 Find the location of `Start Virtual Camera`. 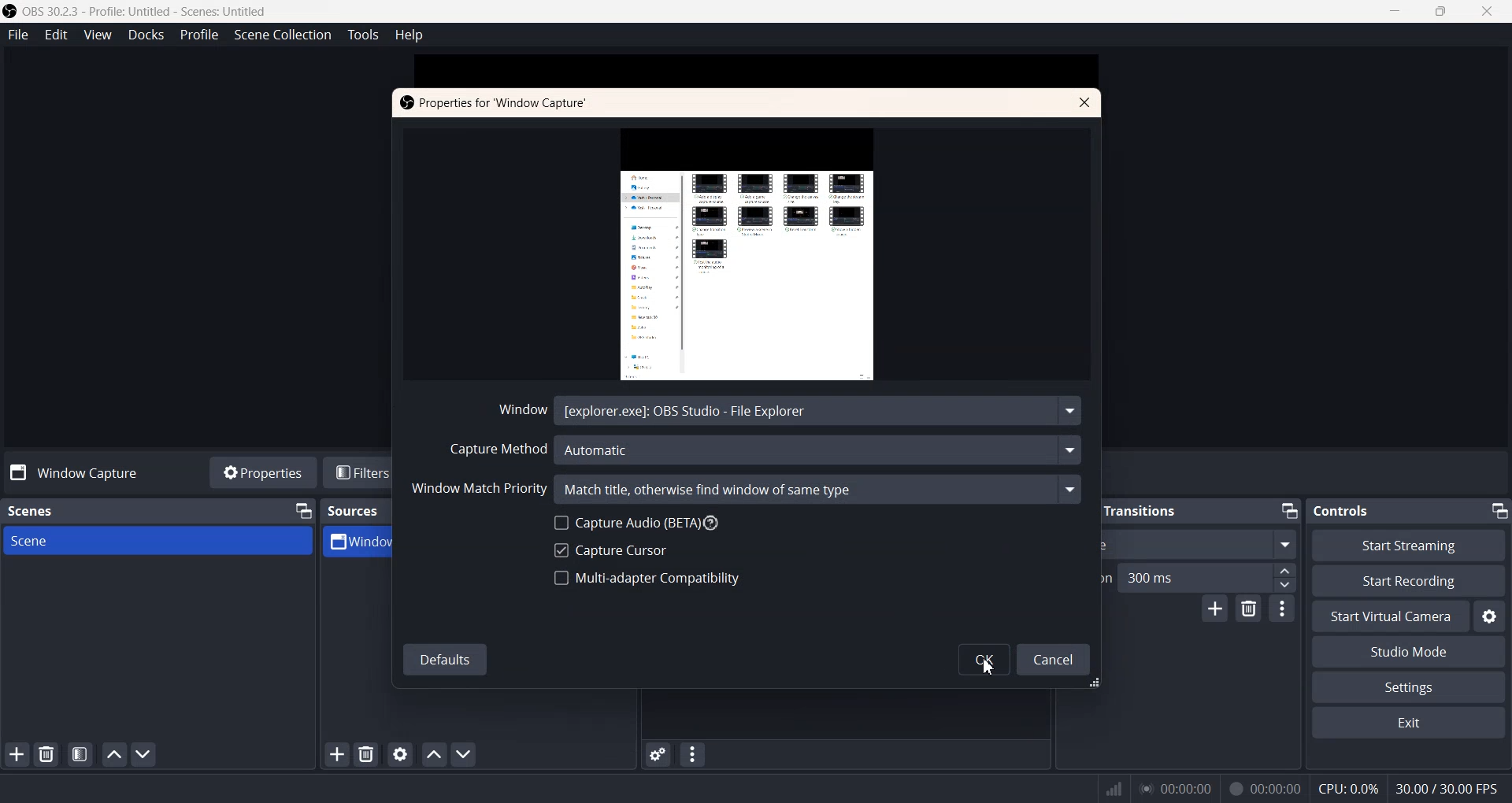

Start Virtual Camera is located at coordinates (1388, 616).